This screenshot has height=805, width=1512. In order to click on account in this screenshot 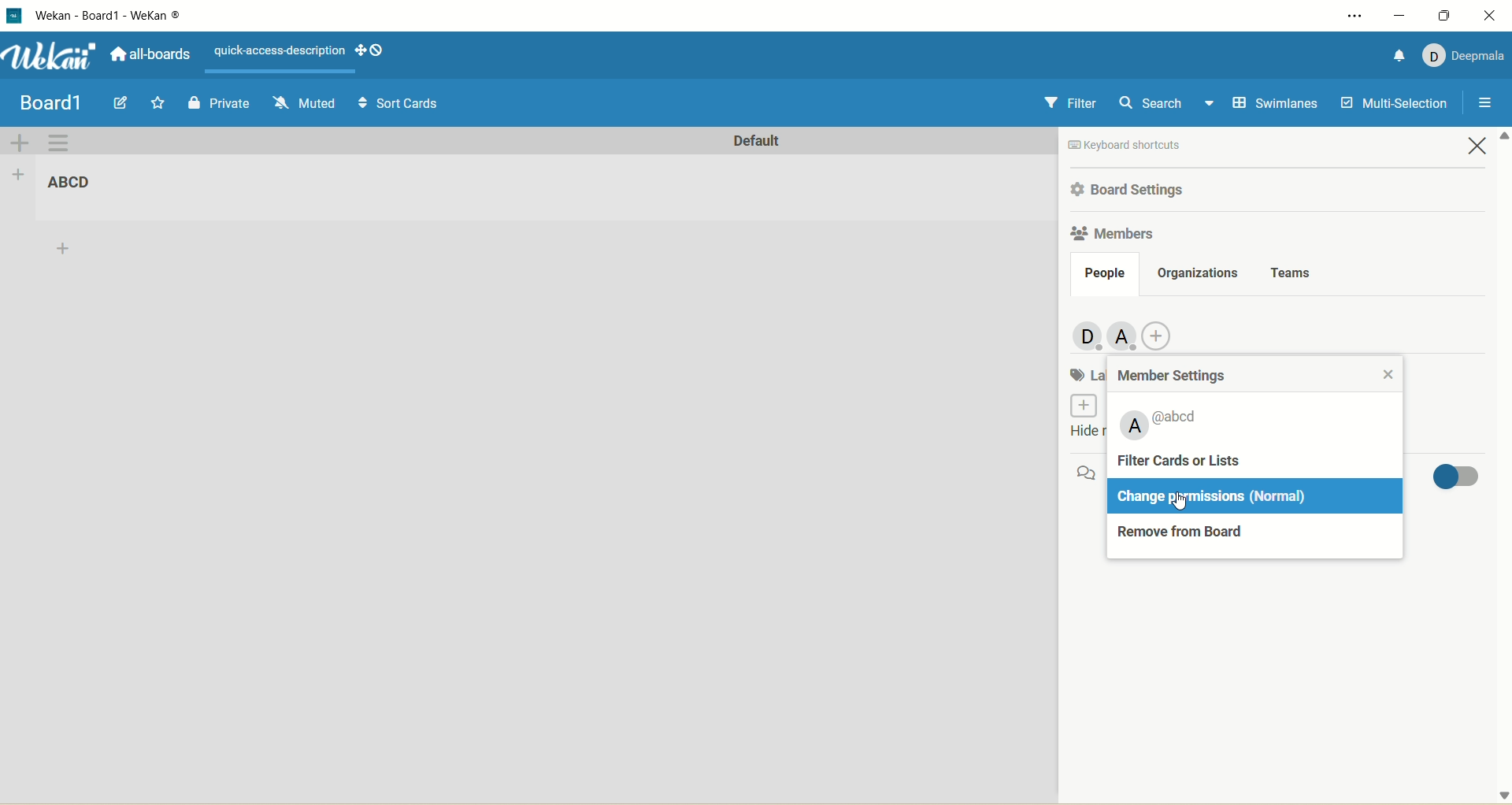, I will do `click(1464, 57)`.